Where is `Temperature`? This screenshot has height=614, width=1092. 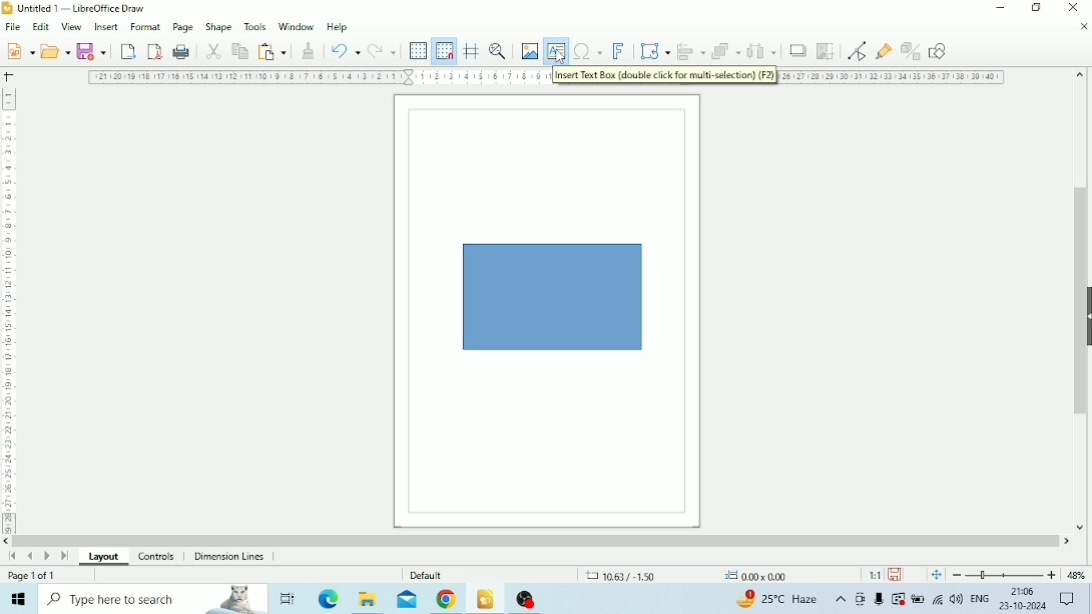
Temperature is located at coordinates (779, 598).